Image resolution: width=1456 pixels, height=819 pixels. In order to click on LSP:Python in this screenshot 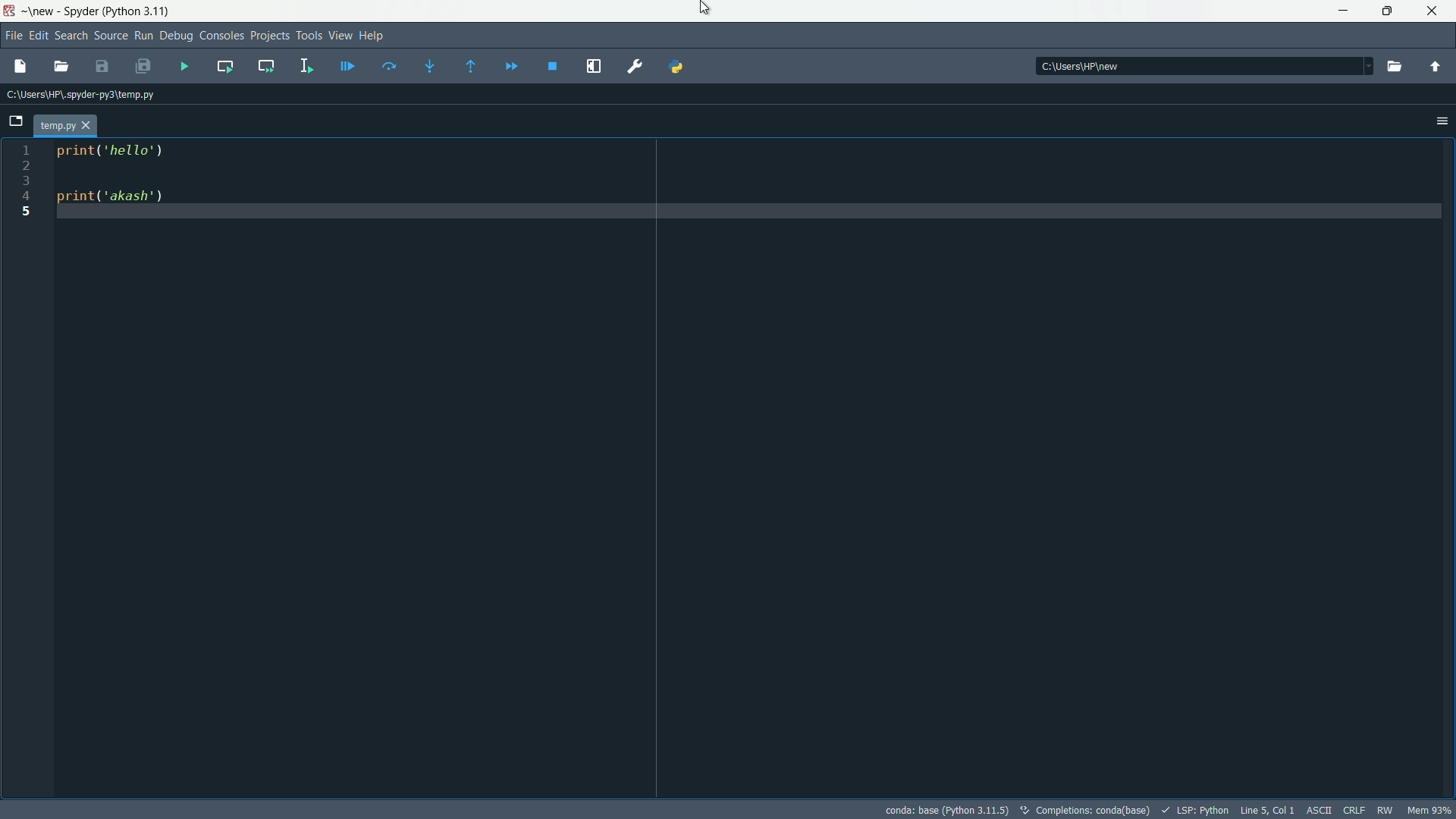, I will do `click(1203, 810)`.